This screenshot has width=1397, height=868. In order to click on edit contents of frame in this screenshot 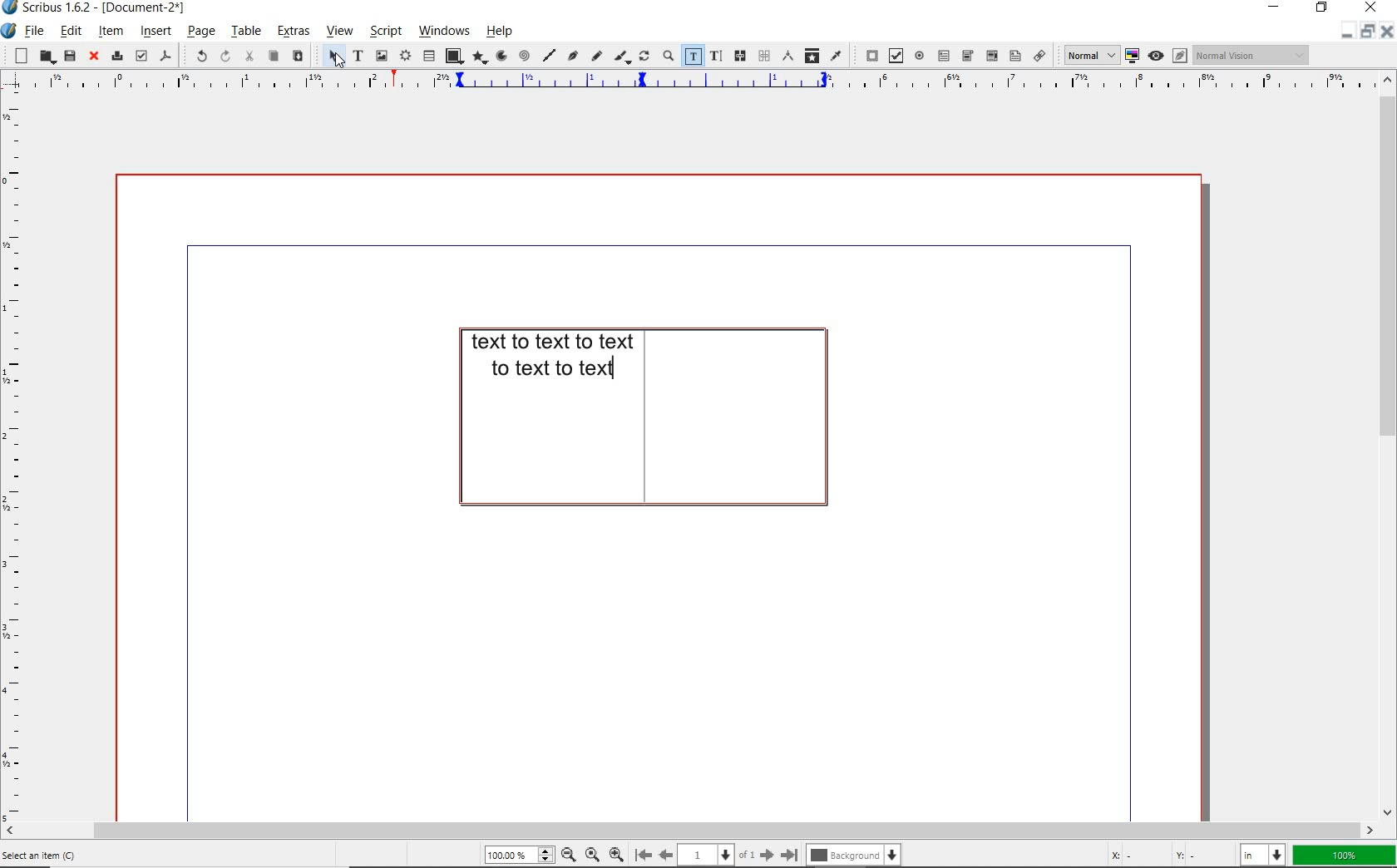, I will do `click(693, 57)`.